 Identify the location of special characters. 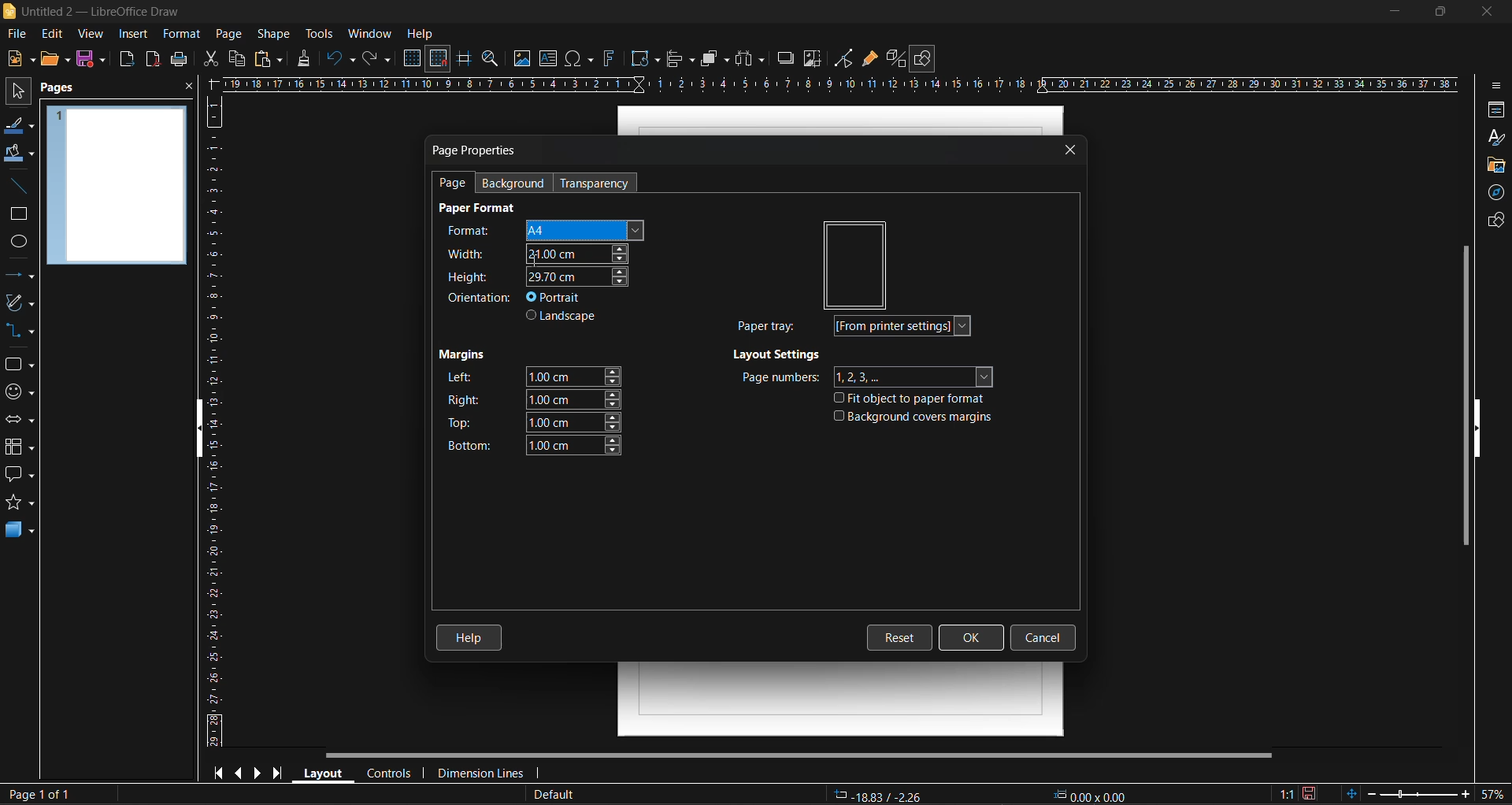
(577, 59).